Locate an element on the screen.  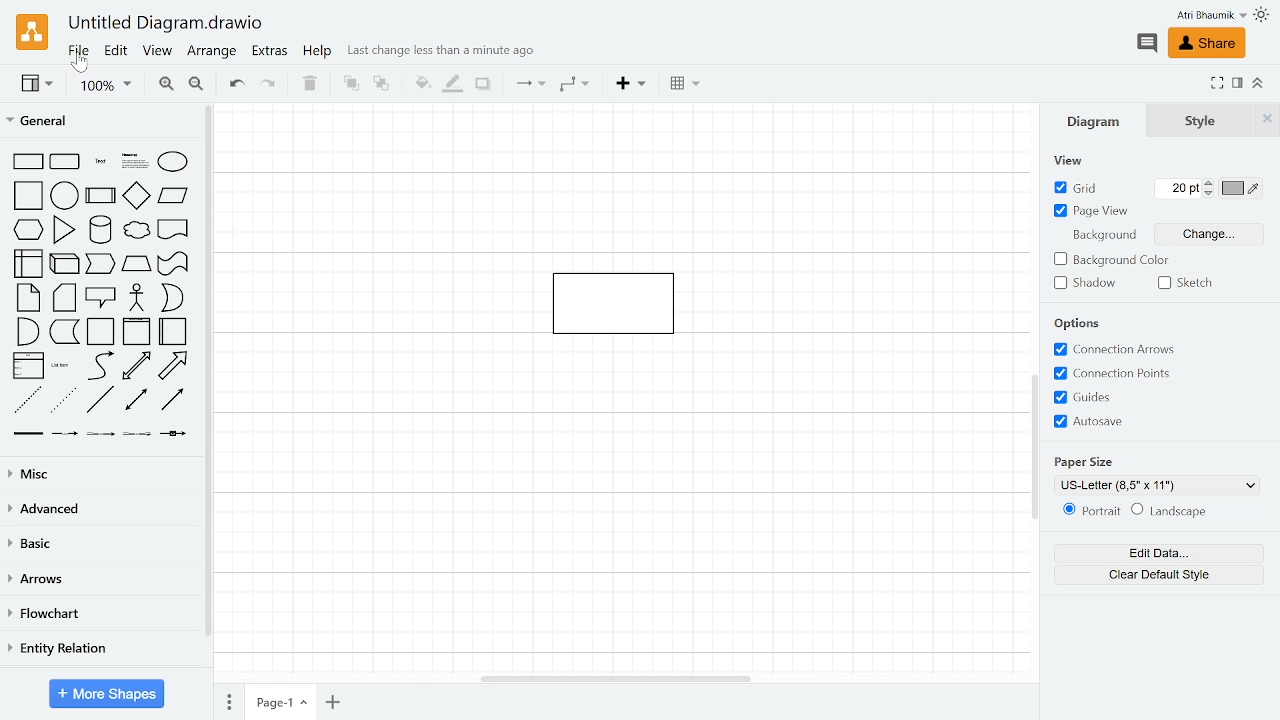
Entity relation is located at coordinates (102, 653).